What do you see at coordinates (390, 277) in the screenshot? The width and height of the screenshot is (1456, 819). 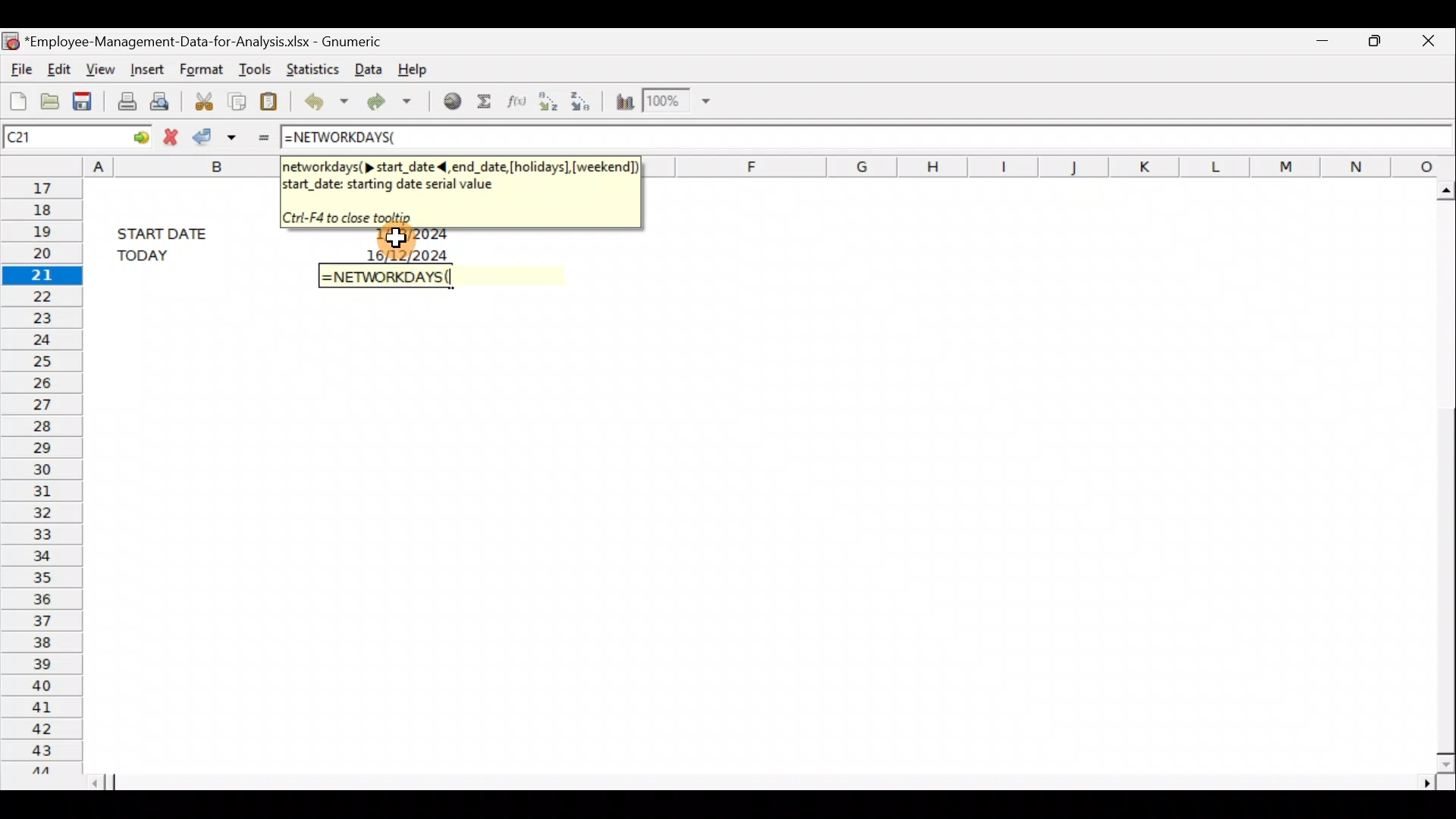 I see `=NETWORKDAYS(` at bounding box center [390, 277].